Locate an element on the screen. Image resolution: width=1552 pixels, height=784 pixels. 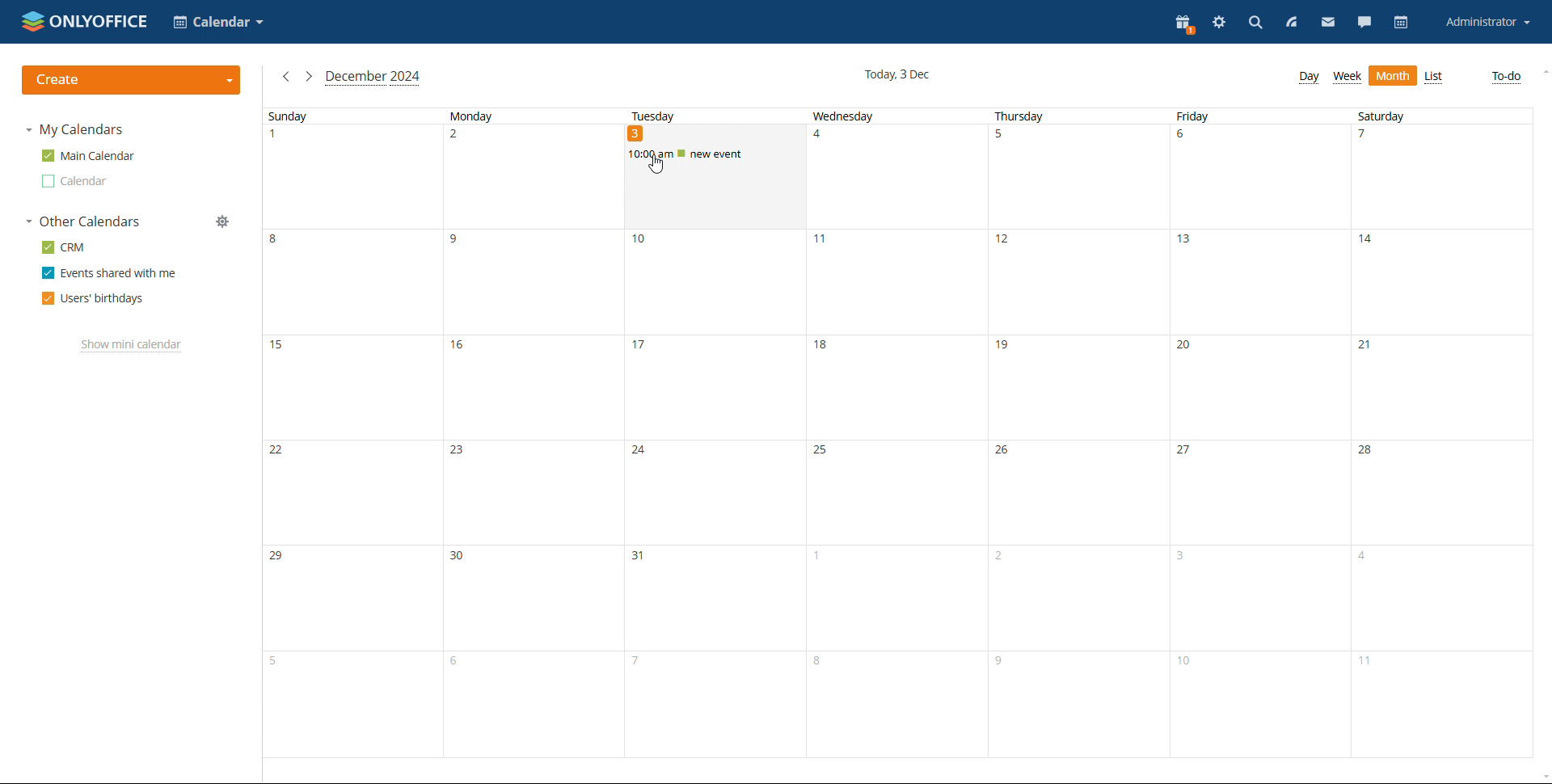
5 is located at coordinates (1076, 177).